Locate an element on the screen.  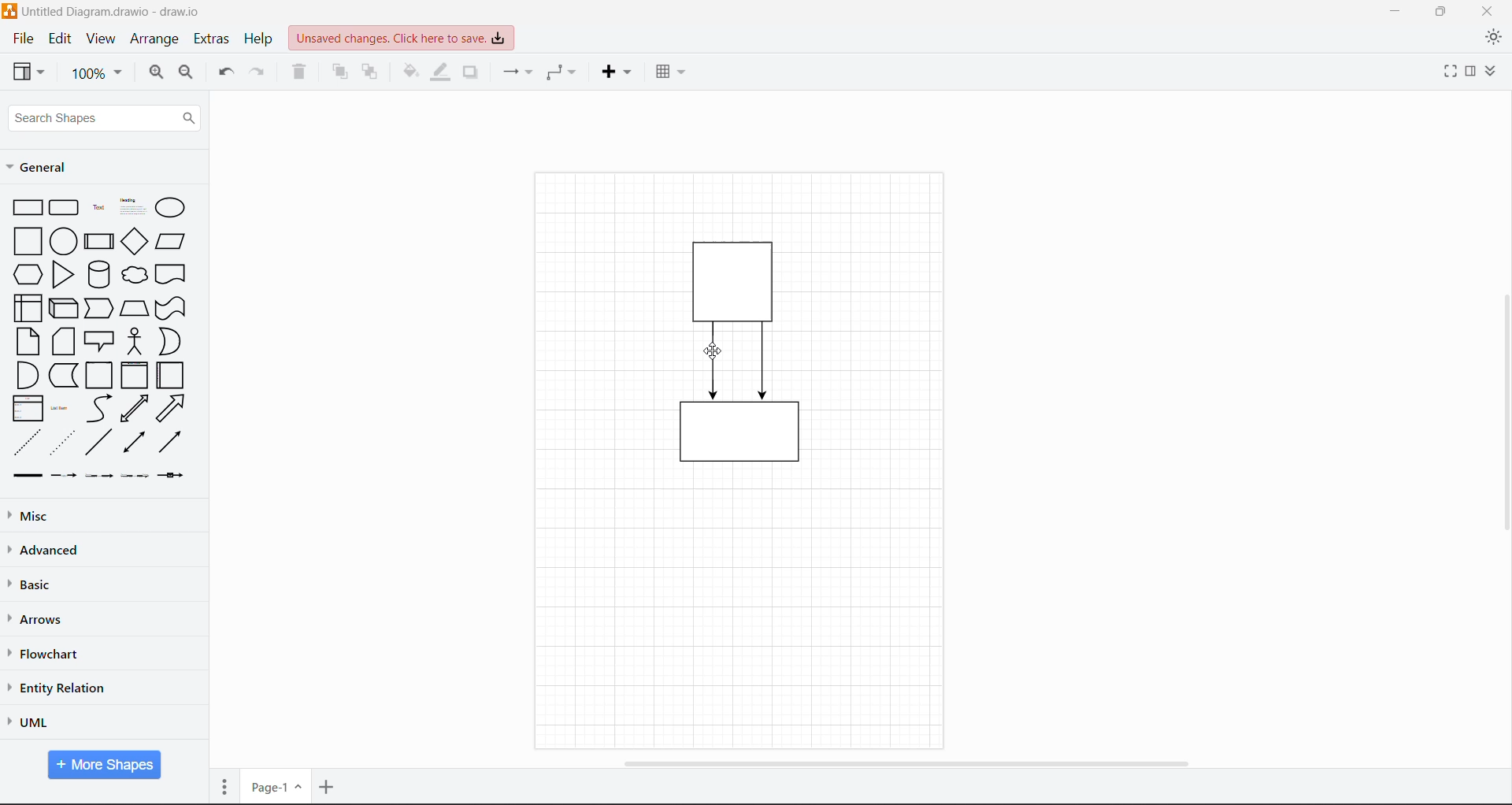
connector with 2 labels is located at coordinates (99, 476).